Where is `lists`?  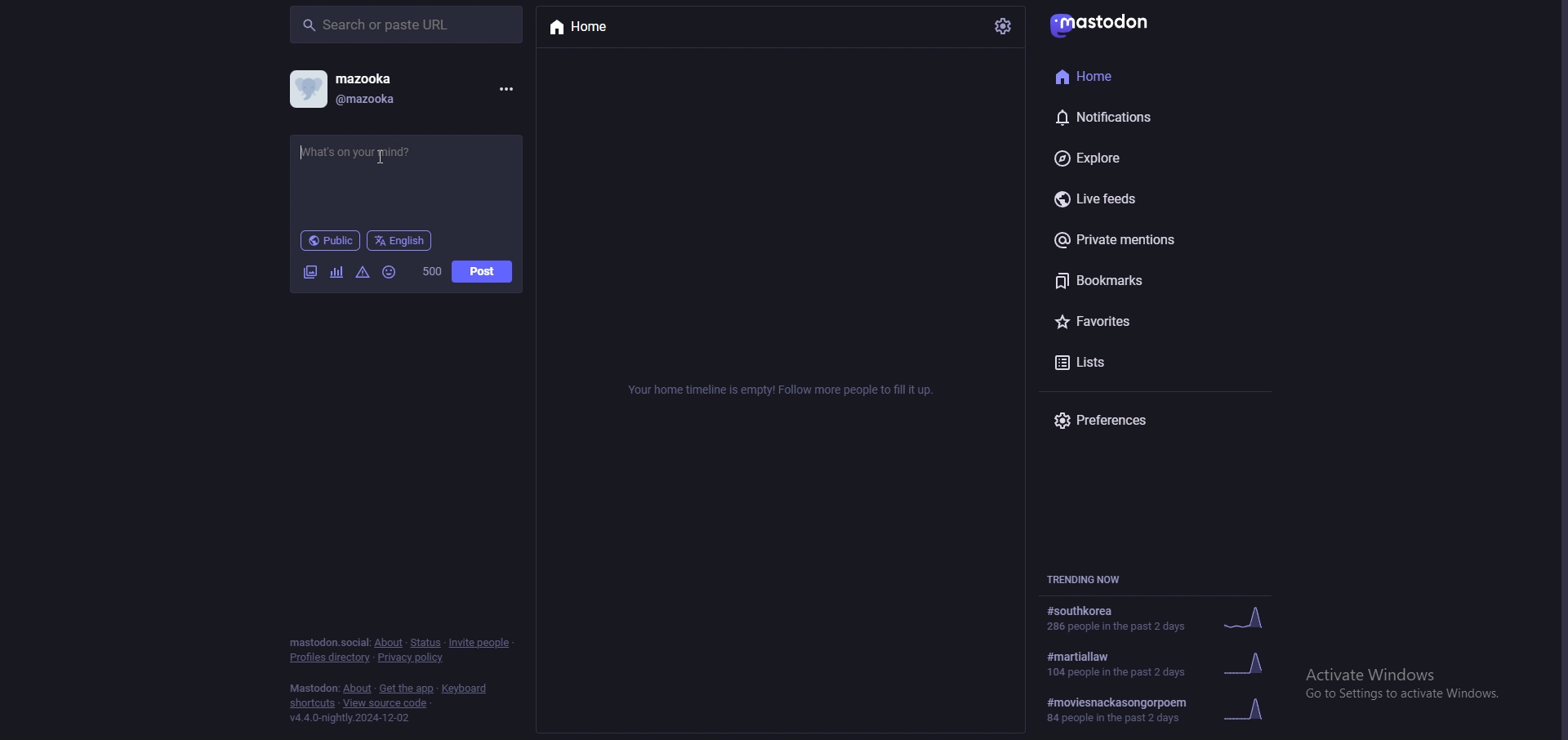 lists is located at coordinates (1133, 362).